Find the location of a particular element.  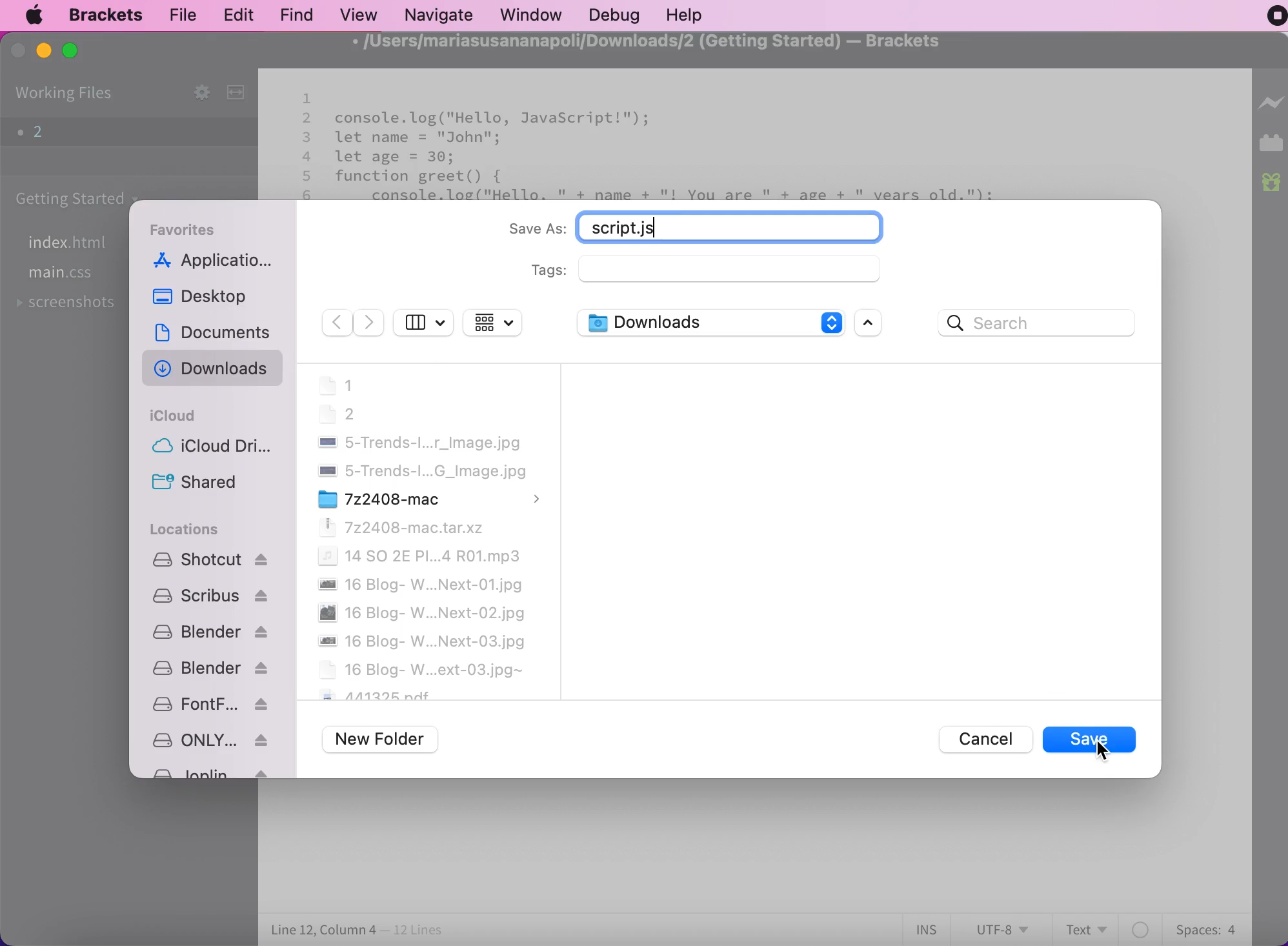

blender is located at coordinates (210, 632).